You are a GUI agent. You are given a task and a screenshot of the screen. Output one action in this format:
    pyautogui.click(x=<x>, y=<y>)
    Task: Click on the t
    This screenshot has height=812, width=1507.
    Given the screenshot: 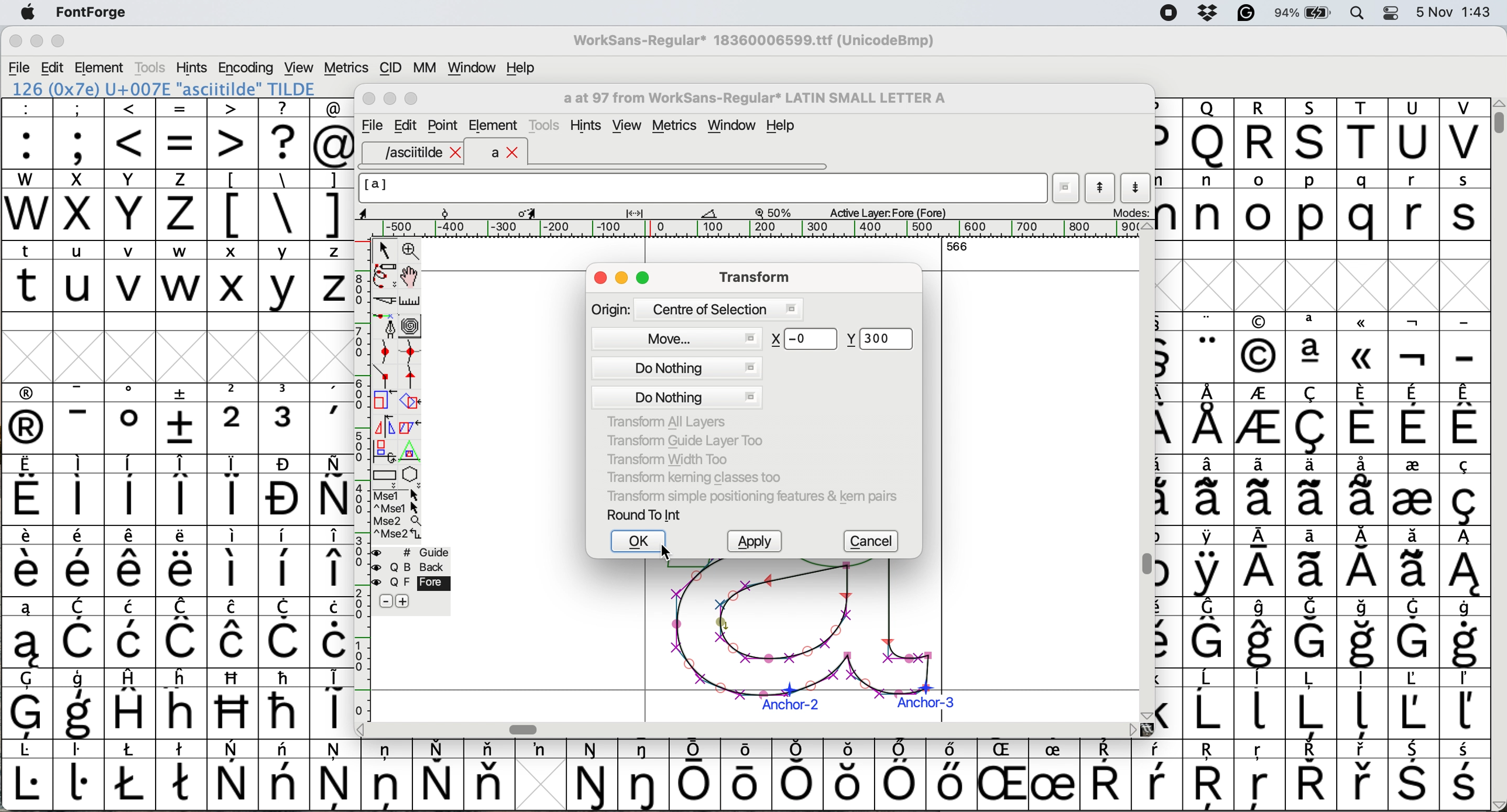 What is the action you would take?
    pyautogui.click(x=27, y=275)
    